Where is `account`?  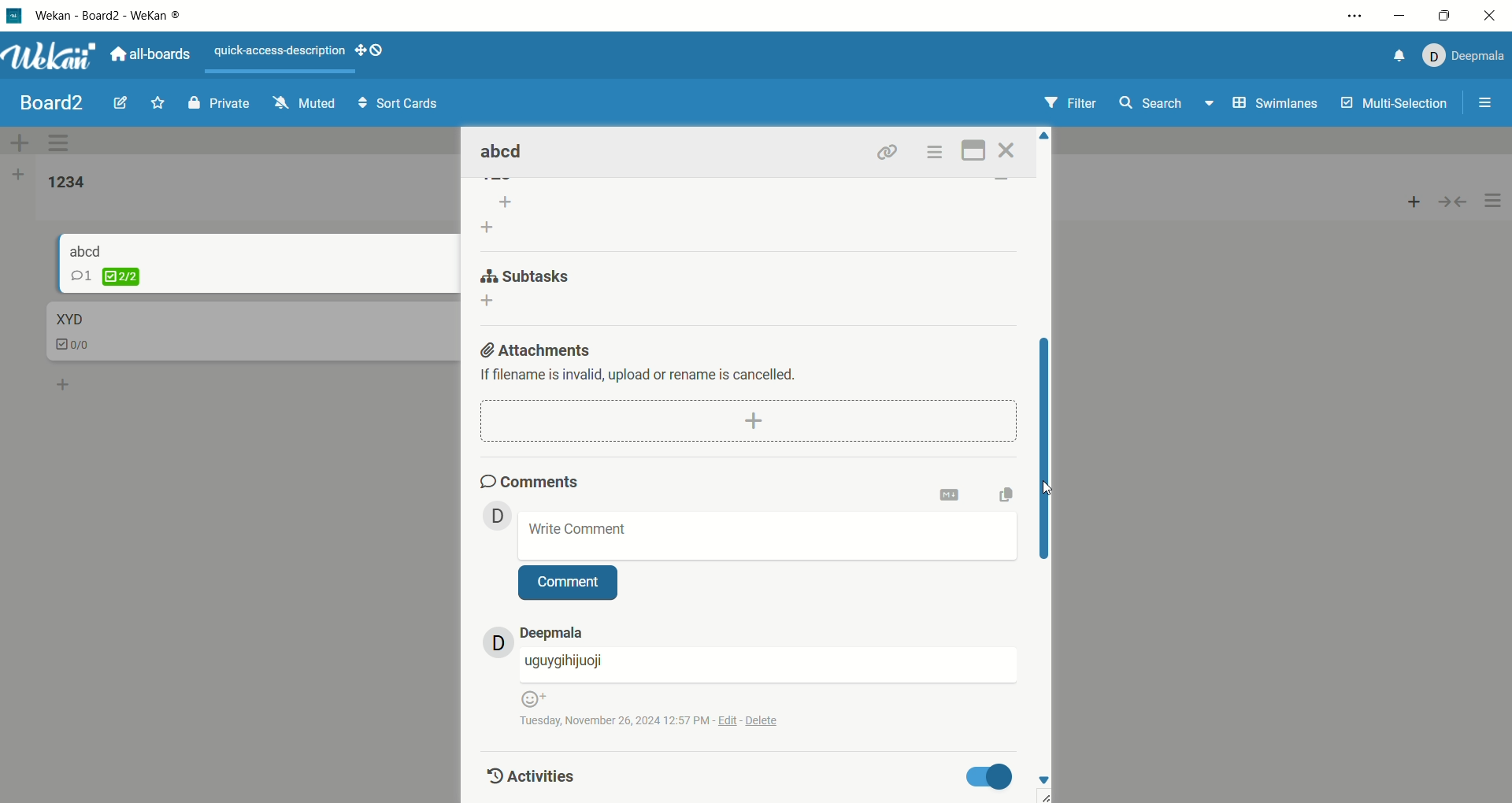 account is located at coordinates (1461, 56).